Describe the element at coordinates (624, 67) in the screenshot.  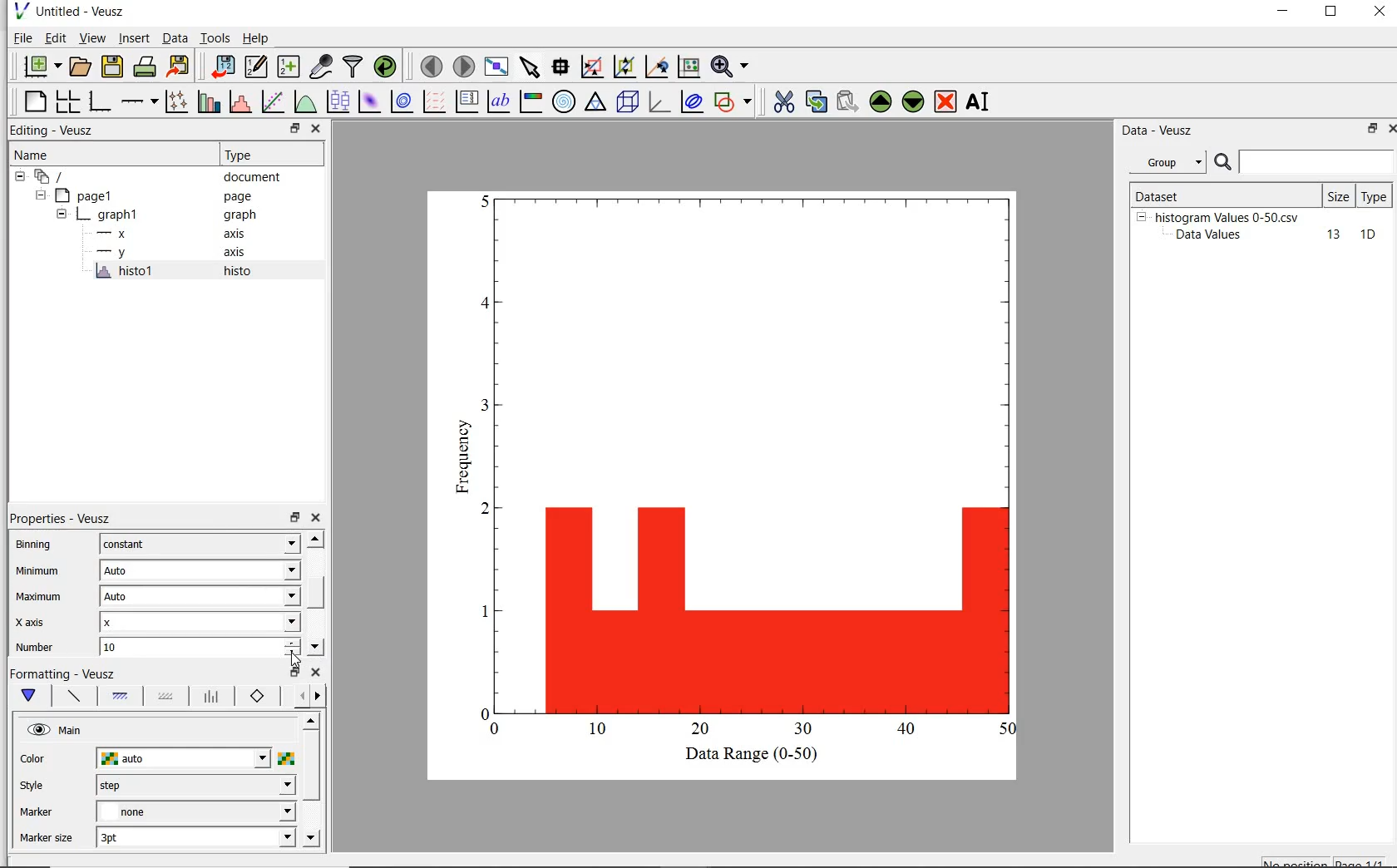
I see `click or draw a rectangle to zoom on graph axes` at that location.